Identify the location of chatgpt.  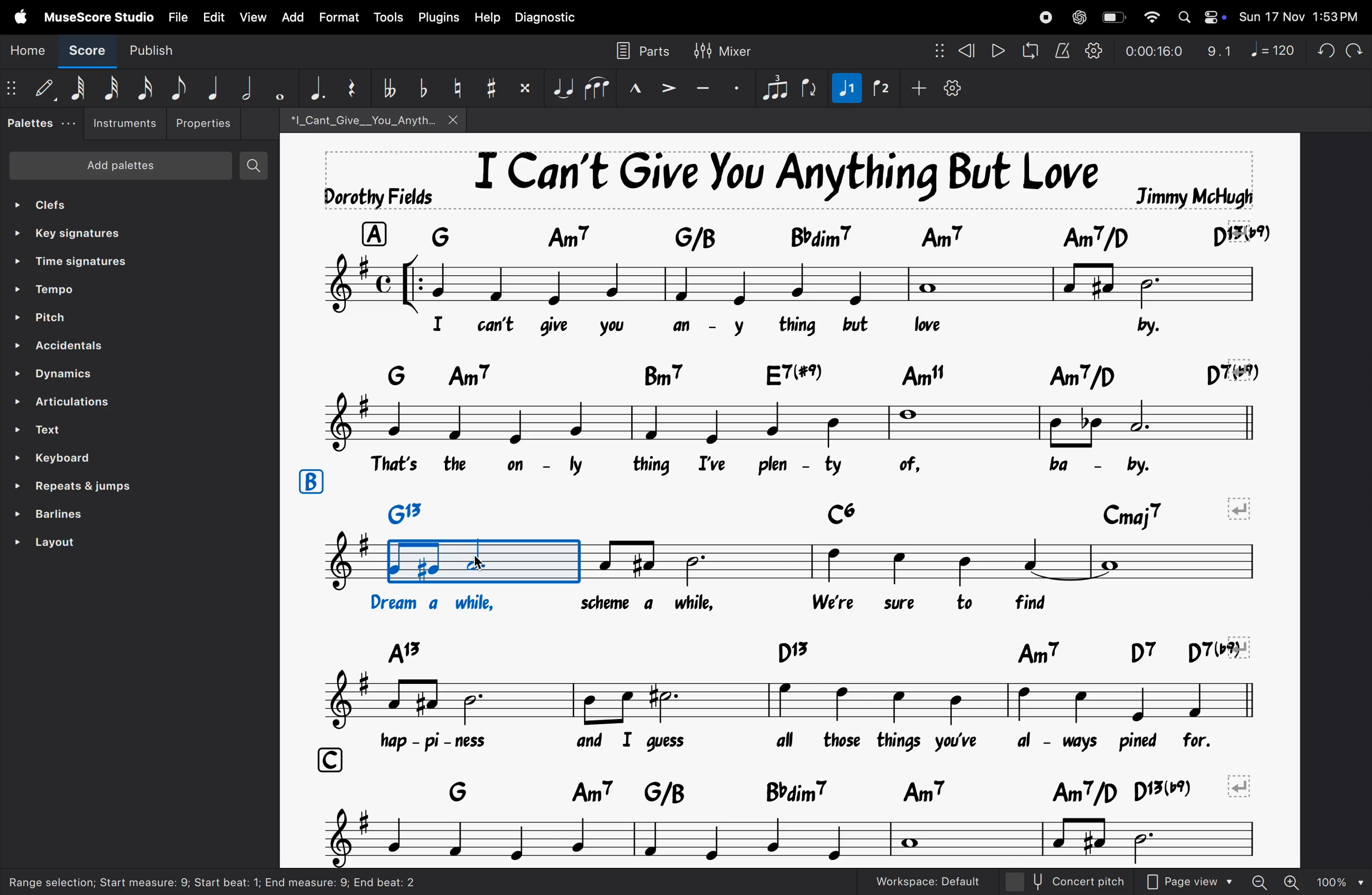
(1080, 17).